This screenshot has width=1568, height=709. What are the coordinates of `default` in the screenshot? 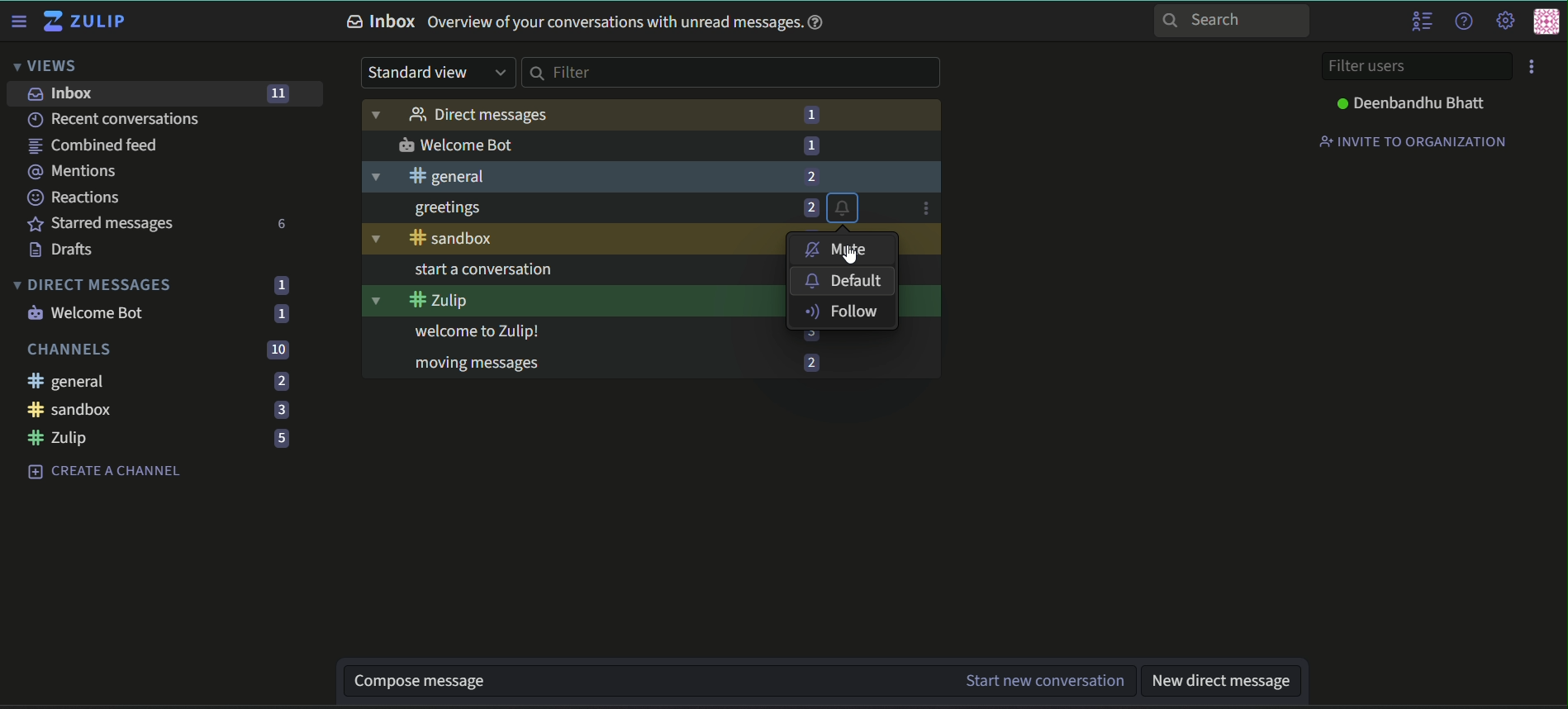 It's located at (843, 281).